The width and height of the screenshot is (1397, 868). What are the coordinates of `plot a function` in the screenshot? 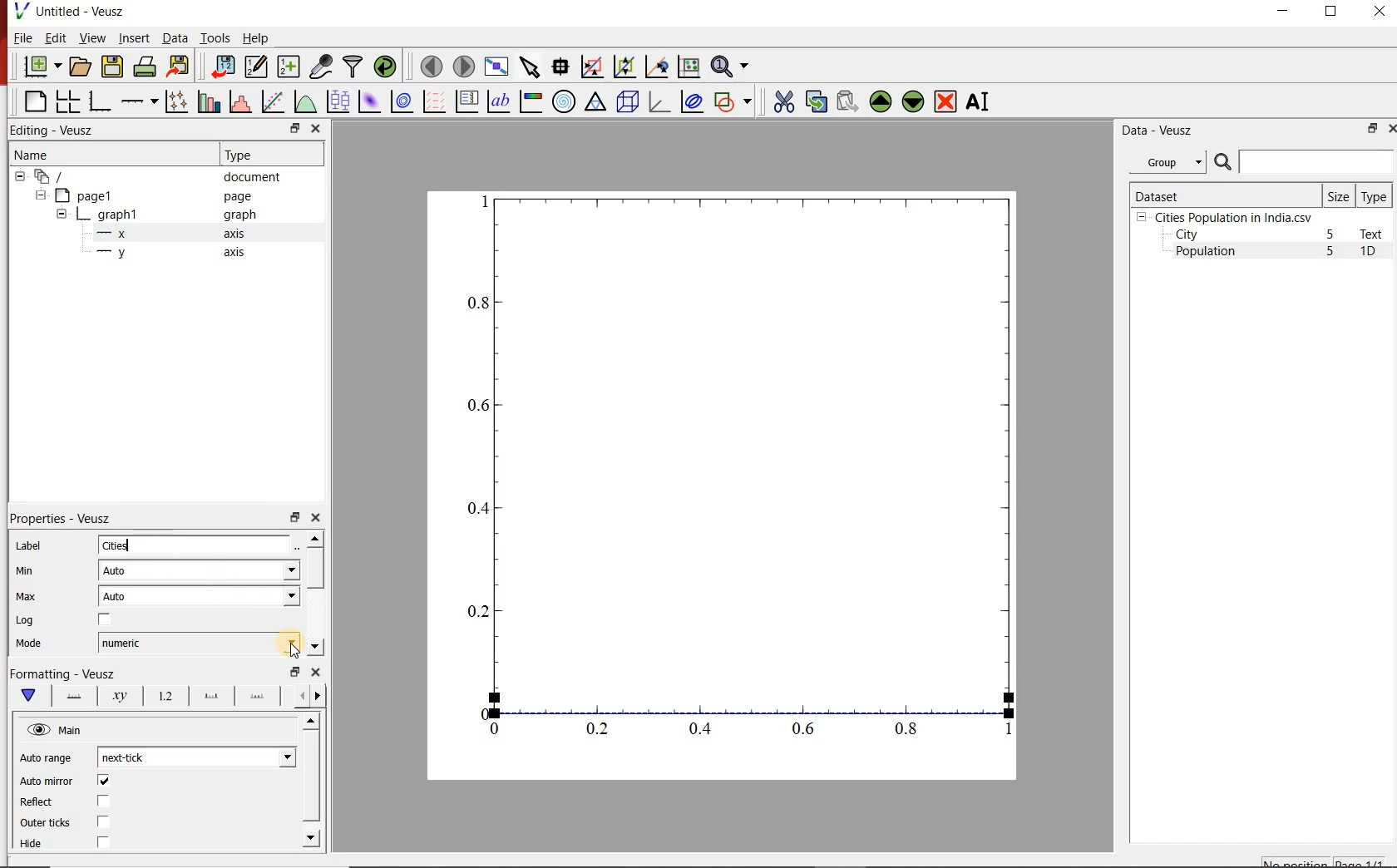 It's located at (304, 101).